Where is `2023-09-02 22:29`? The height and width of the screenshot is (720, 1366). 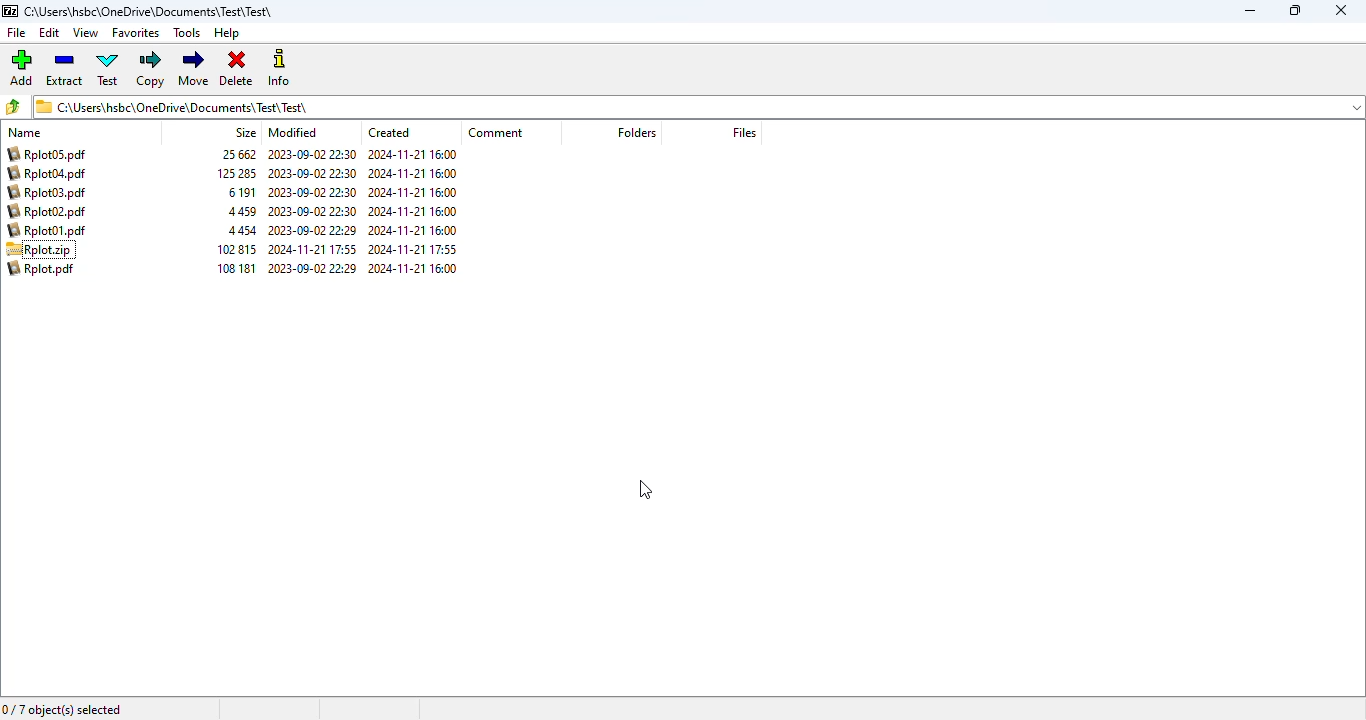
2023-09-02 22:29 is located at coordinates (313, 268).